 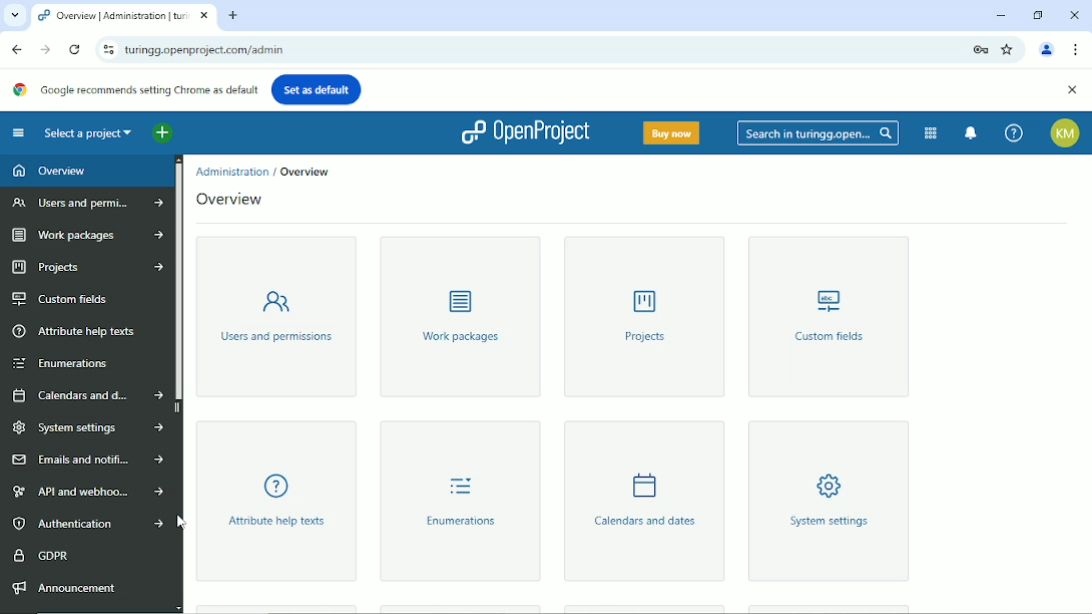 What do you see at coordinates (113, 18) in the screenshot?
I see `current tab: turingg.openproject.com` at bounding box center [113, 18].